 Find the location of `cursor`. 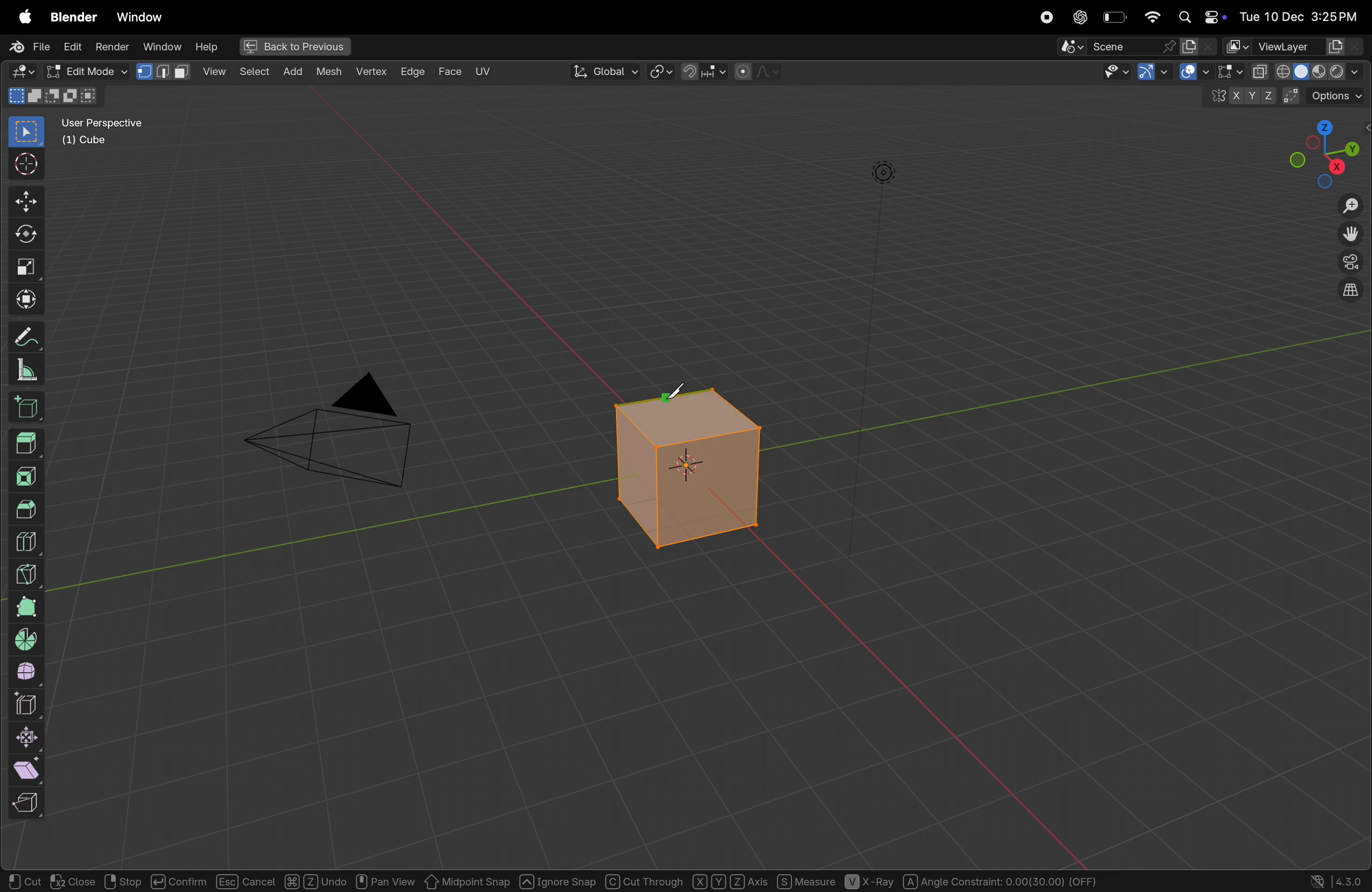

cursor is located at coordinates (24, 165).